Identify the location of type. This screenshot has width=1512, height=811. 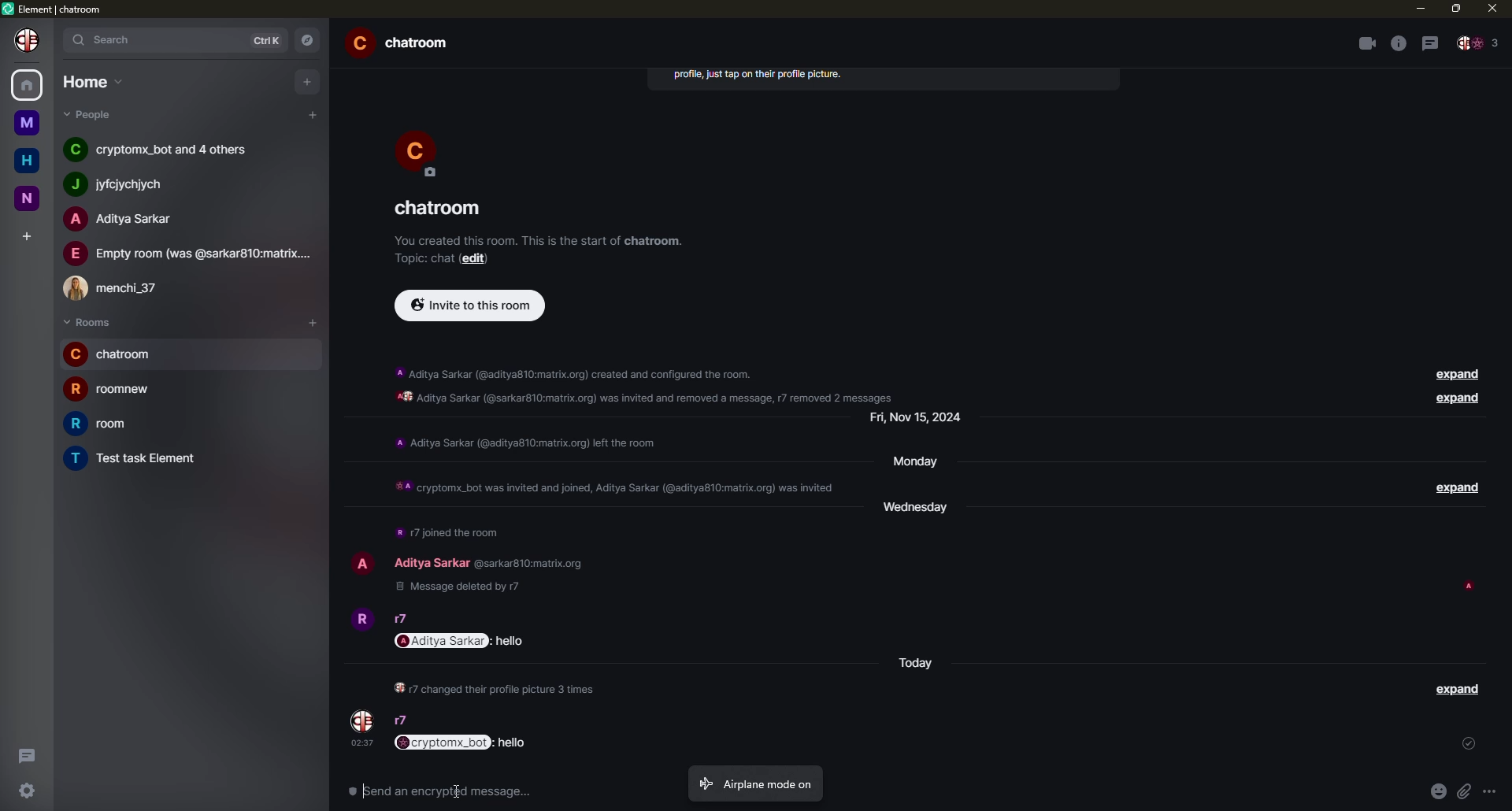
(438, 794).